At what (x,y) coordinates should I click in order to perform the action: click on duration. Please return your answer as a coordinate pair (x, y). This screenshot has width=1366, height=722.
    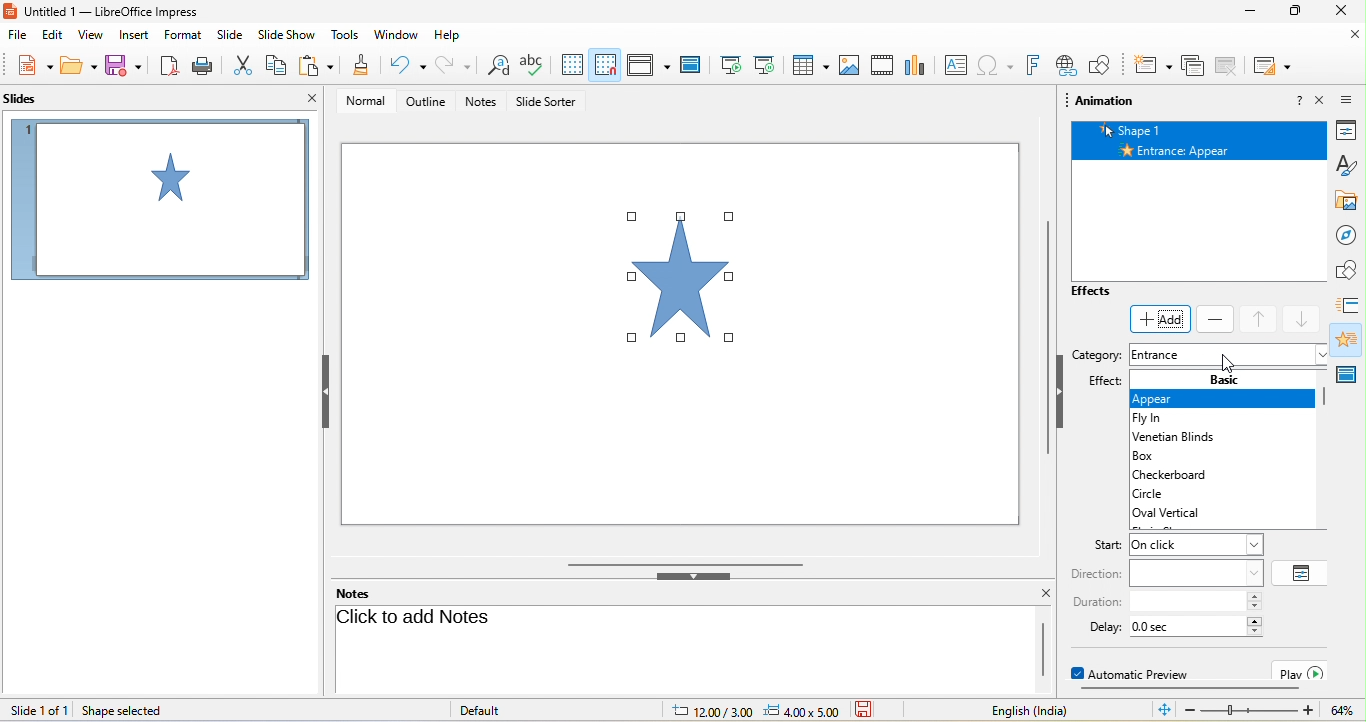
    Looking at the image, I should click on (1096, 602).